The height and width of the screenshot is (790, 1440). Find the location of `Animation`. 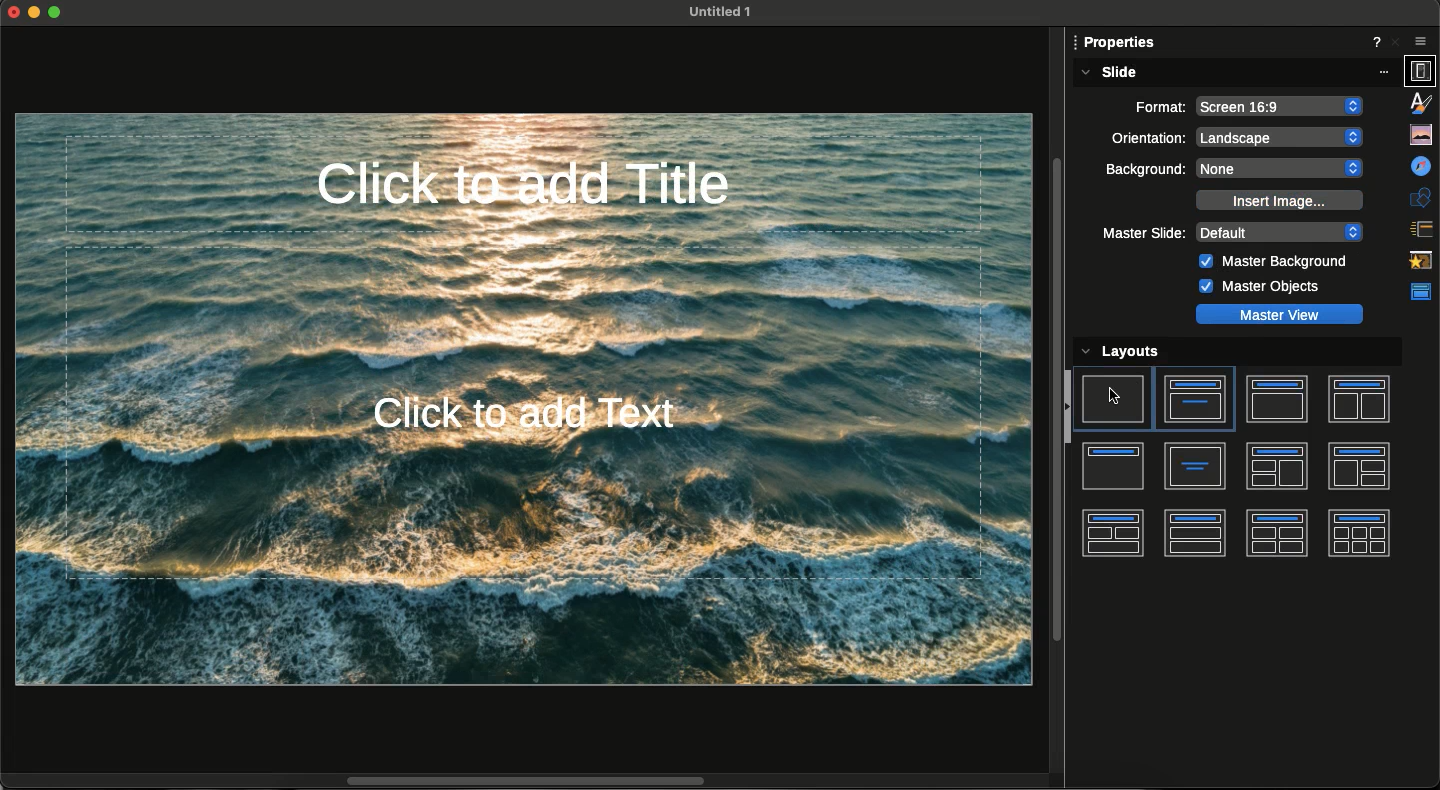

Animation is located at coordinates (1421, 261).